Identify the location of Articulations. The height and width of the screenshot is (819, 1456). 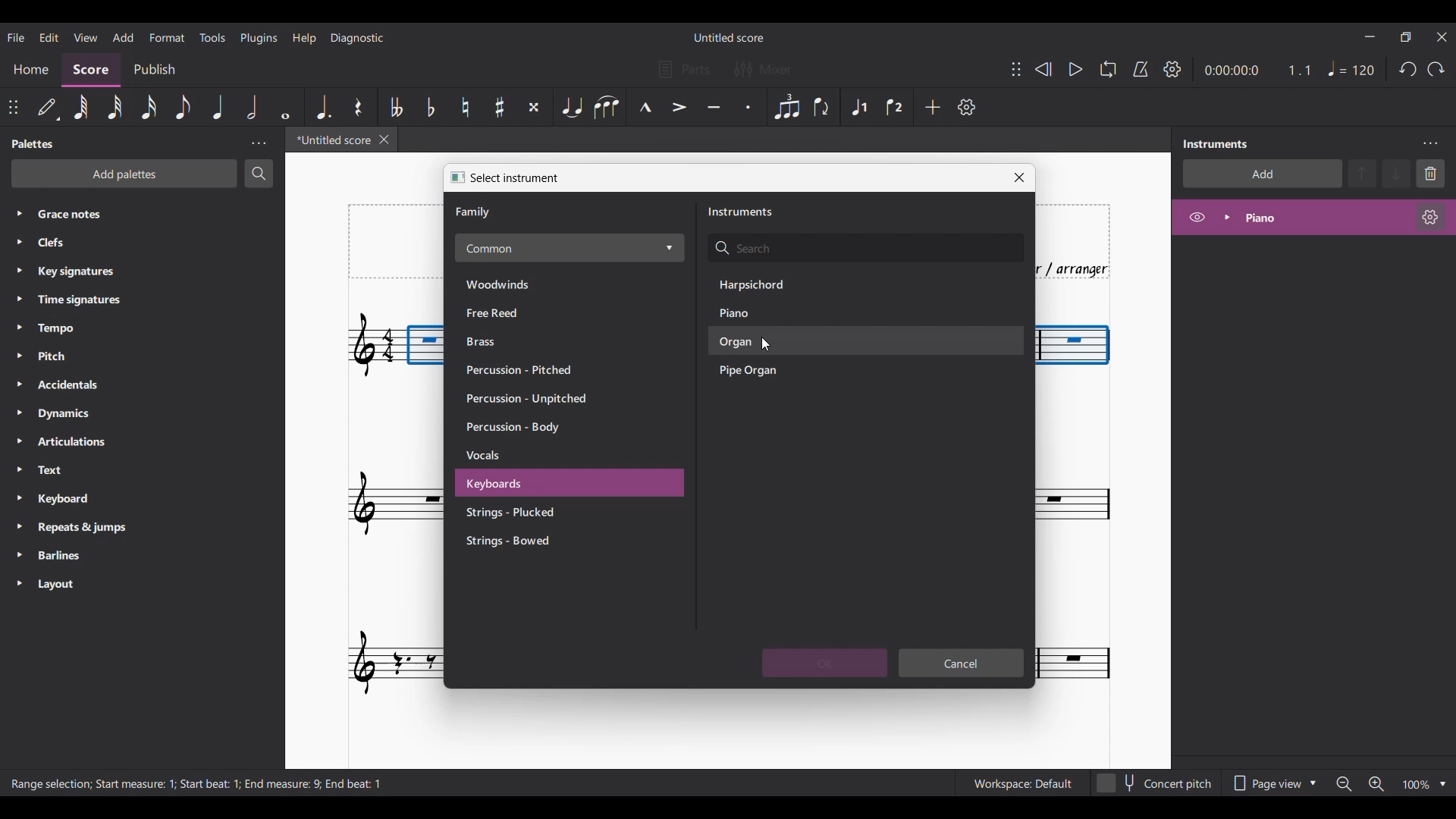
(85, 442).